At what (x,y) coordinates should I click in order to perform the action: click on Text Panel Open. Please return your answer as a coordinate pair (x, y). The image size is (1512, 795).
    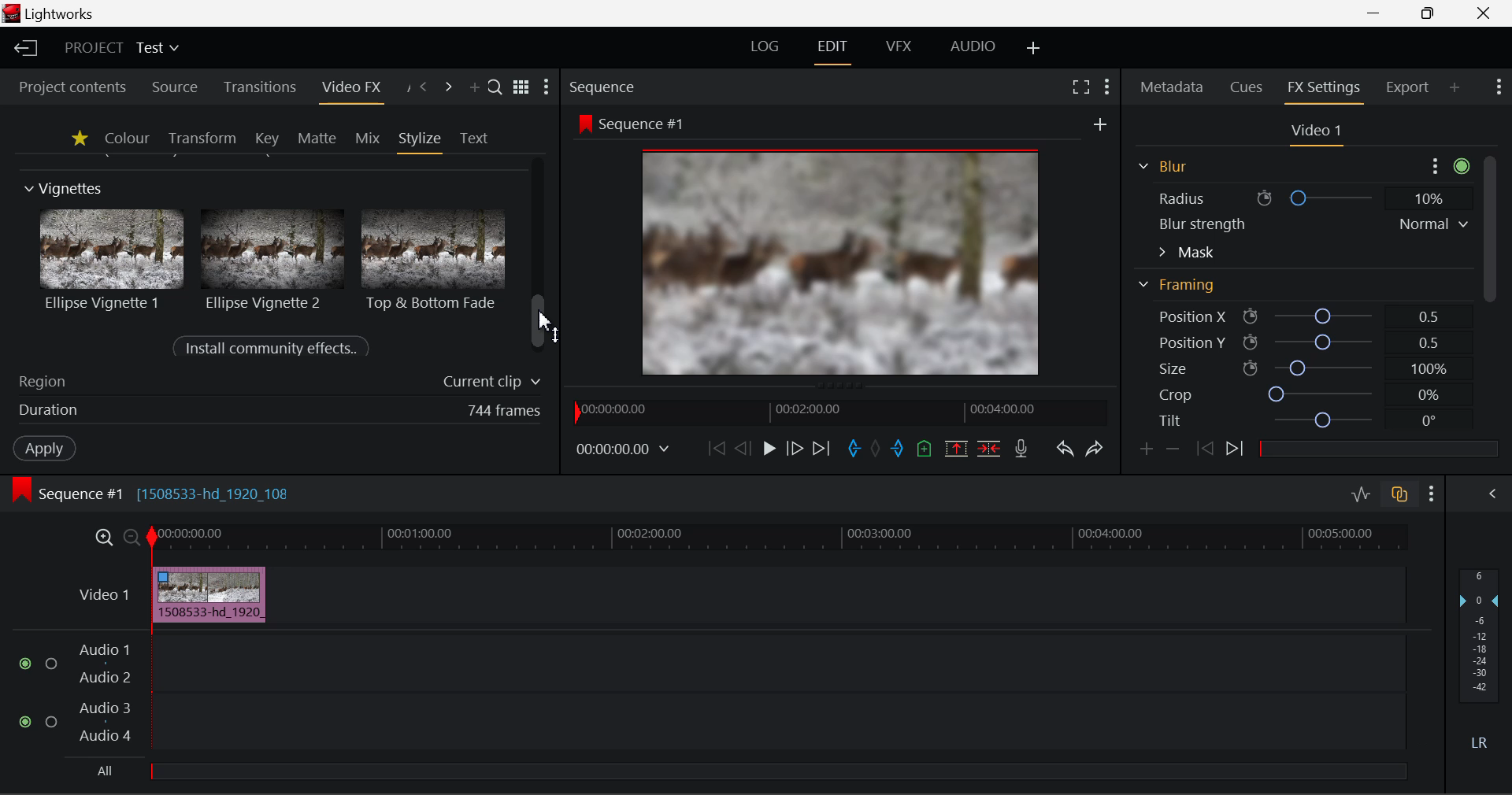
    Looking at the image, I should click on (476, 137).